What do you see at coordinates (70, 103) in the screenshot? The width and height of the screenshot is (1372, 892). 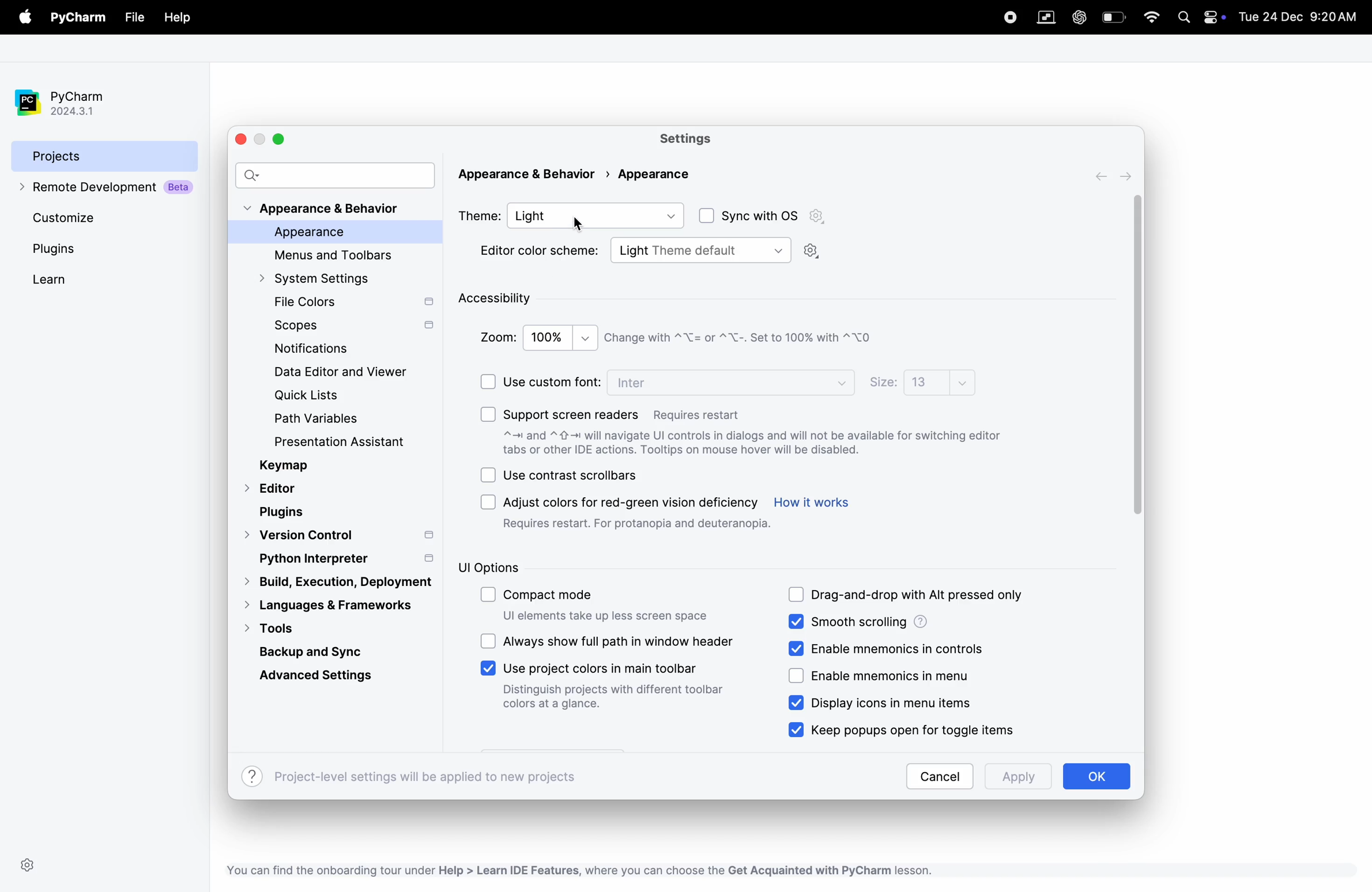 I see `pycharm version` at bounding box center [70, 103].